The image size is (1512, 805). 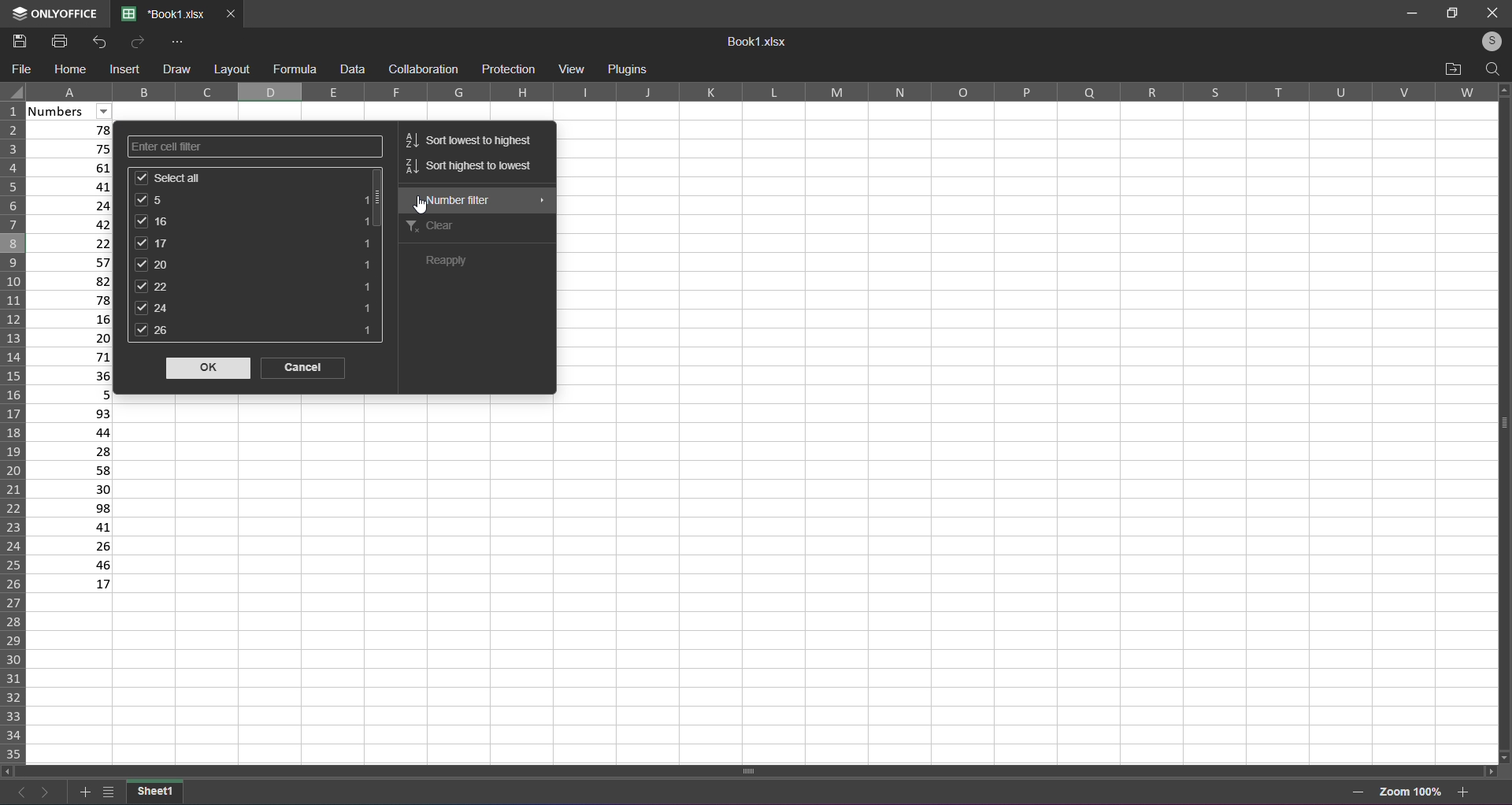 What do you see at coordinates (71, 565) in the screenshot?
I see `46` at bounding box center [71, 565].